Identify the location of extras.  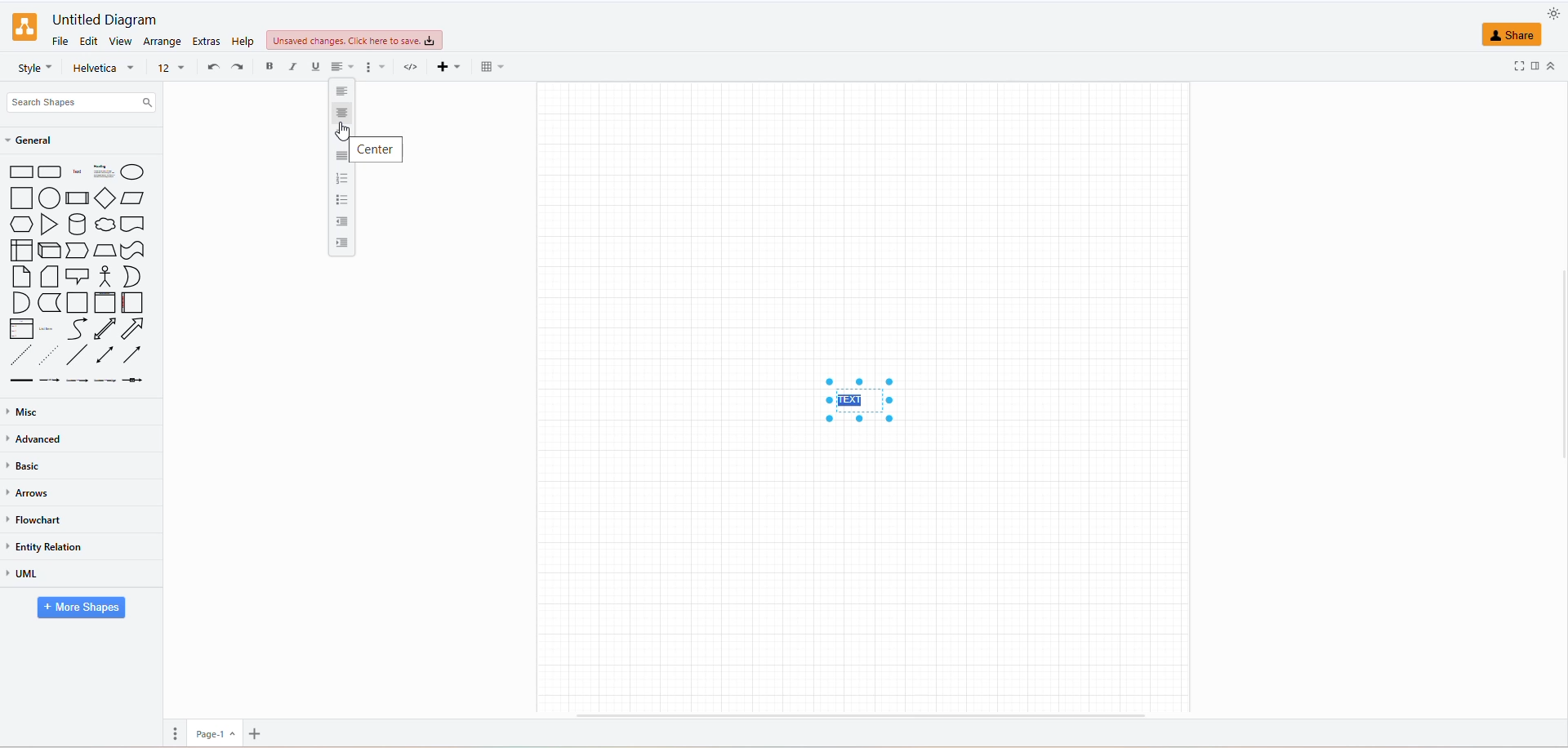
(207, 42).